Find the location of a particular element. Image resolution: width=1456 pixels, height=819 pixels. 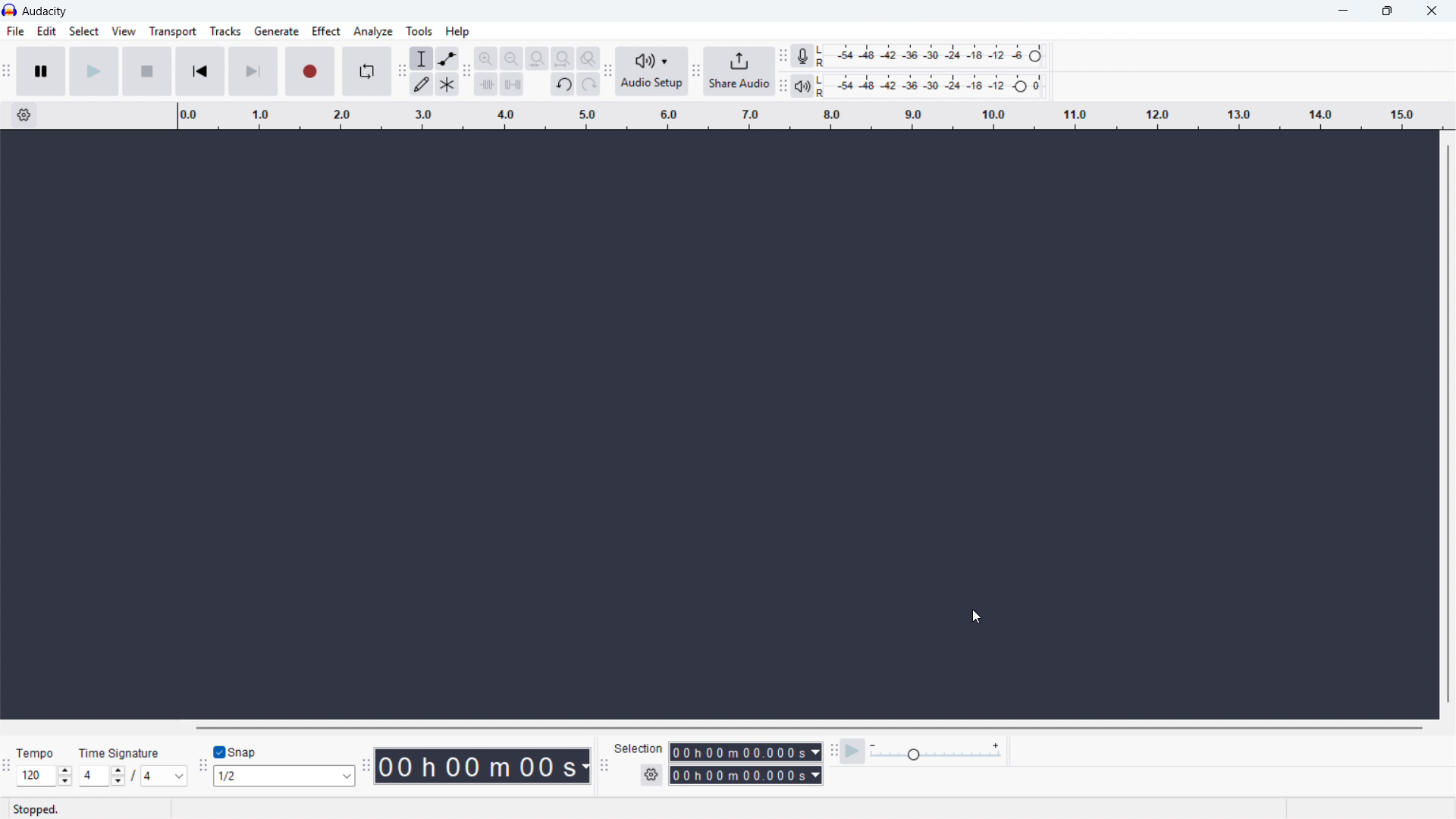

time toolbar is located at coordinates (364, 767).